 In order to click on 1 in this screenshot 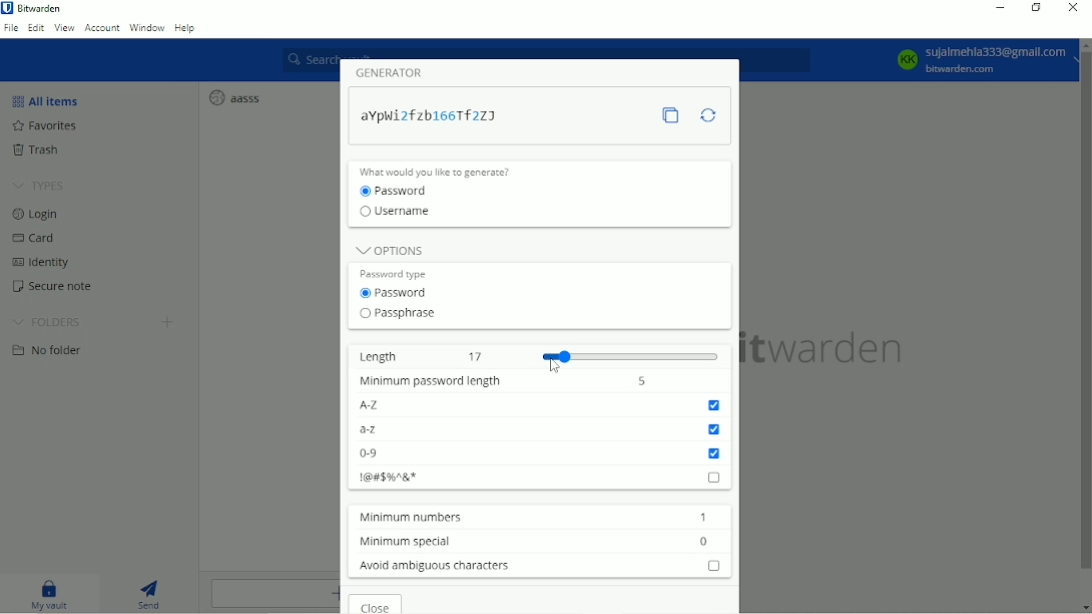, I will do `click(703, 517)`.